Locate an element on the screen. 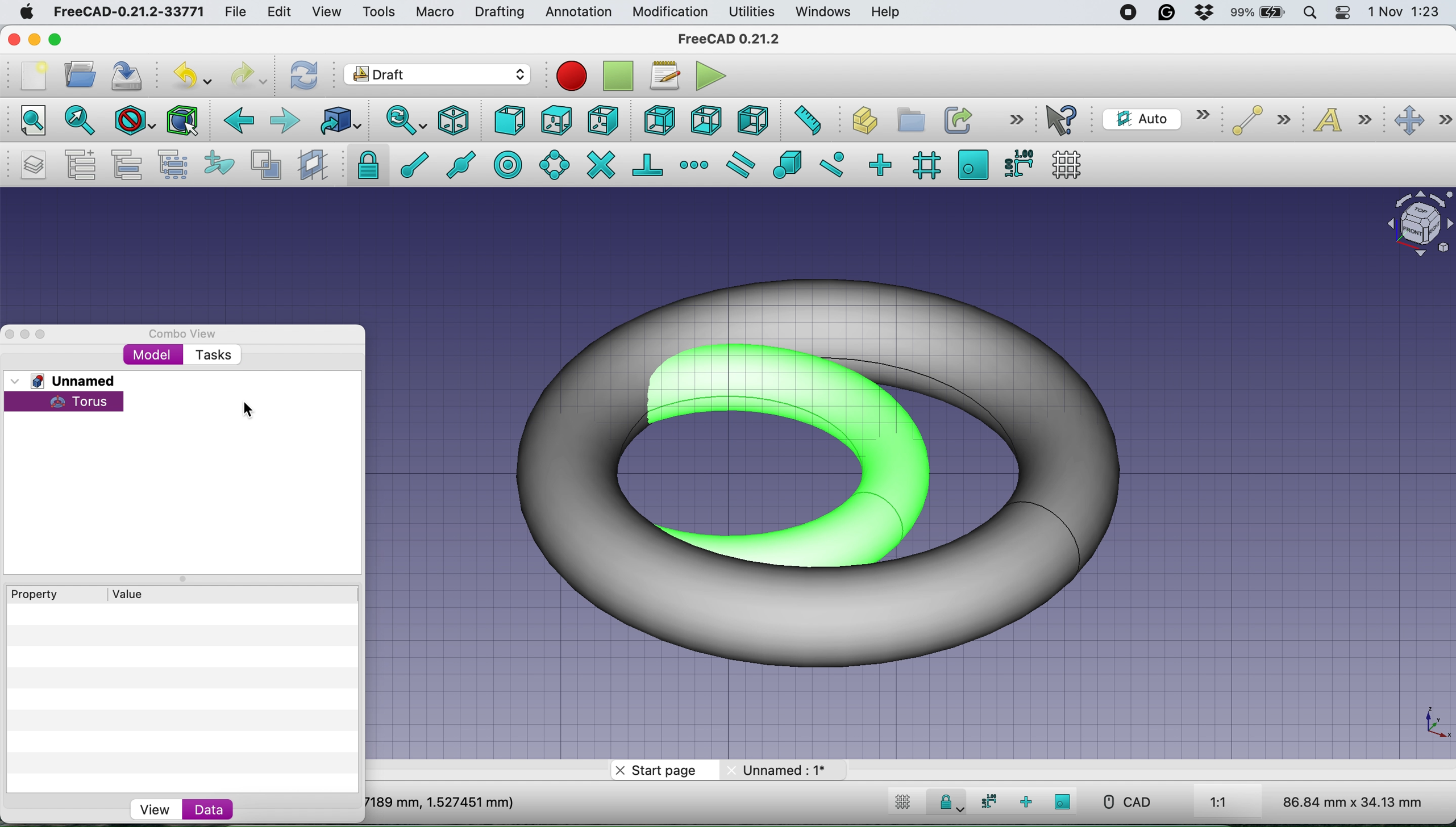 This screenshot has width=1456, height=827. snap ortho is located at coordinates (883, 164).